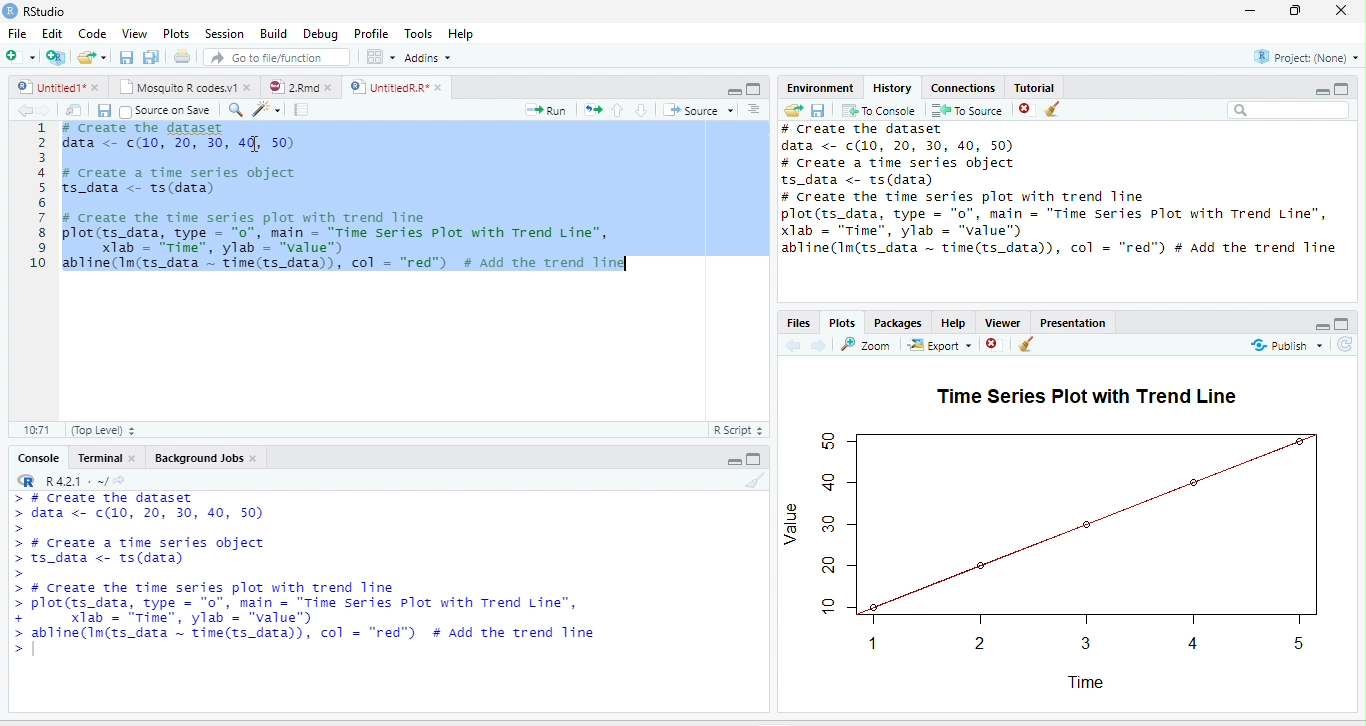 This screenshot has height=726, width=1366. What do you see at coordinates (49, 87) in the screenshot?
I see `Untitled1*` at bounding box center [49, 87].